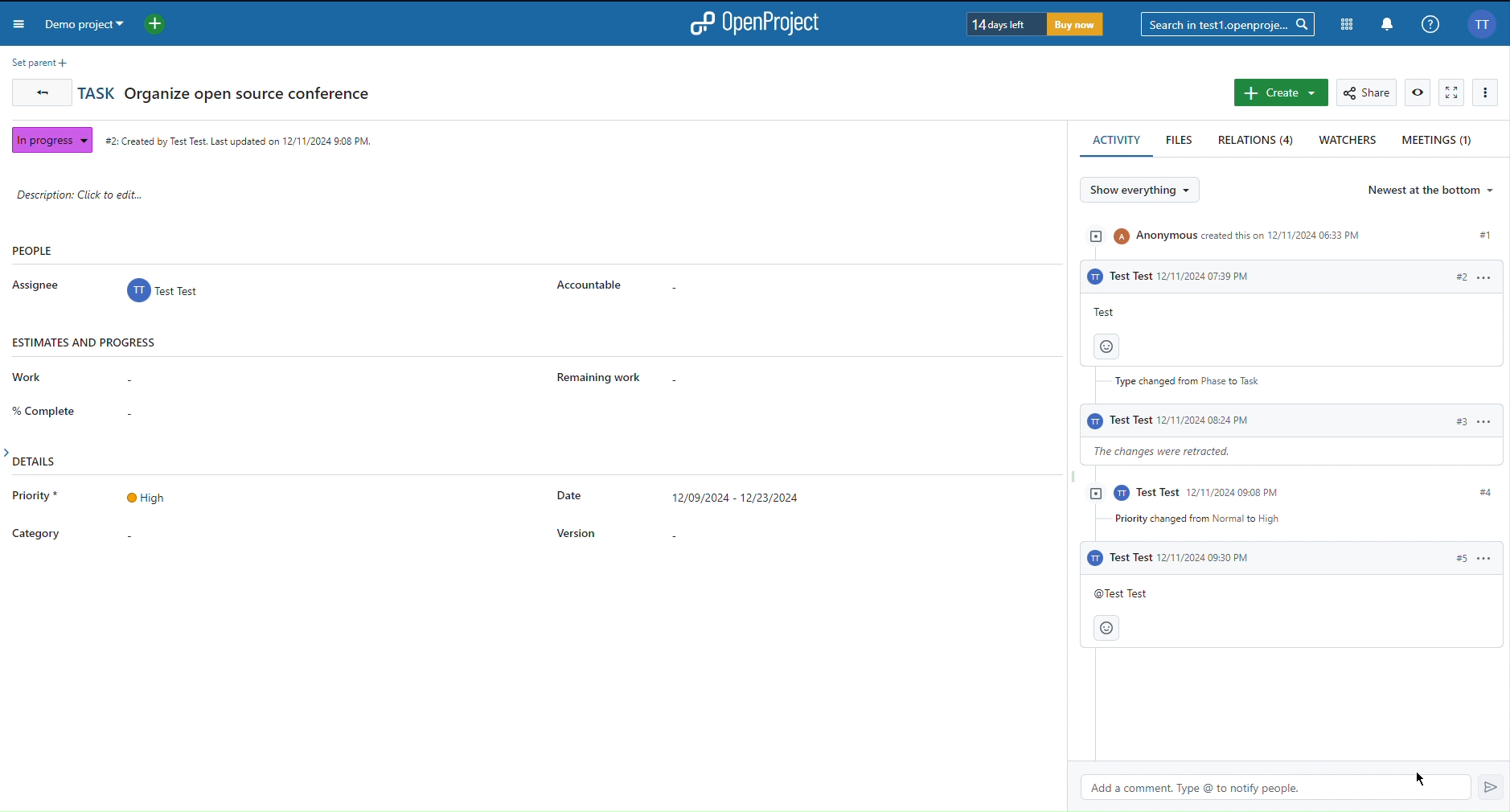 The height and width of the screenshot is (812, 1510). I want to click on Notifications, so click(1385, 23).